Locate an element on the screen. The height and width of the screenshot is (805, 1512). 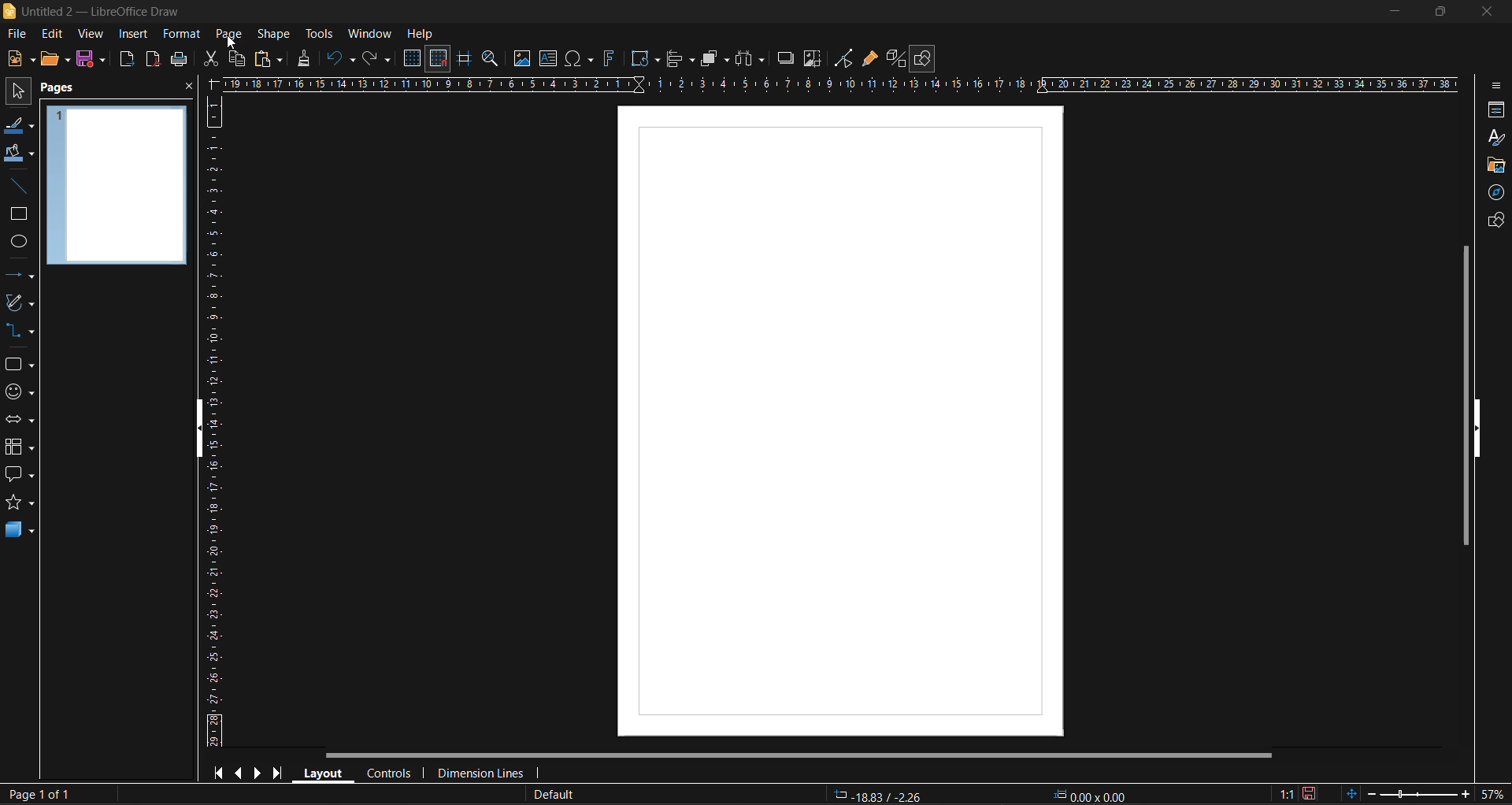
display grid is located at coordinates (414, 57).